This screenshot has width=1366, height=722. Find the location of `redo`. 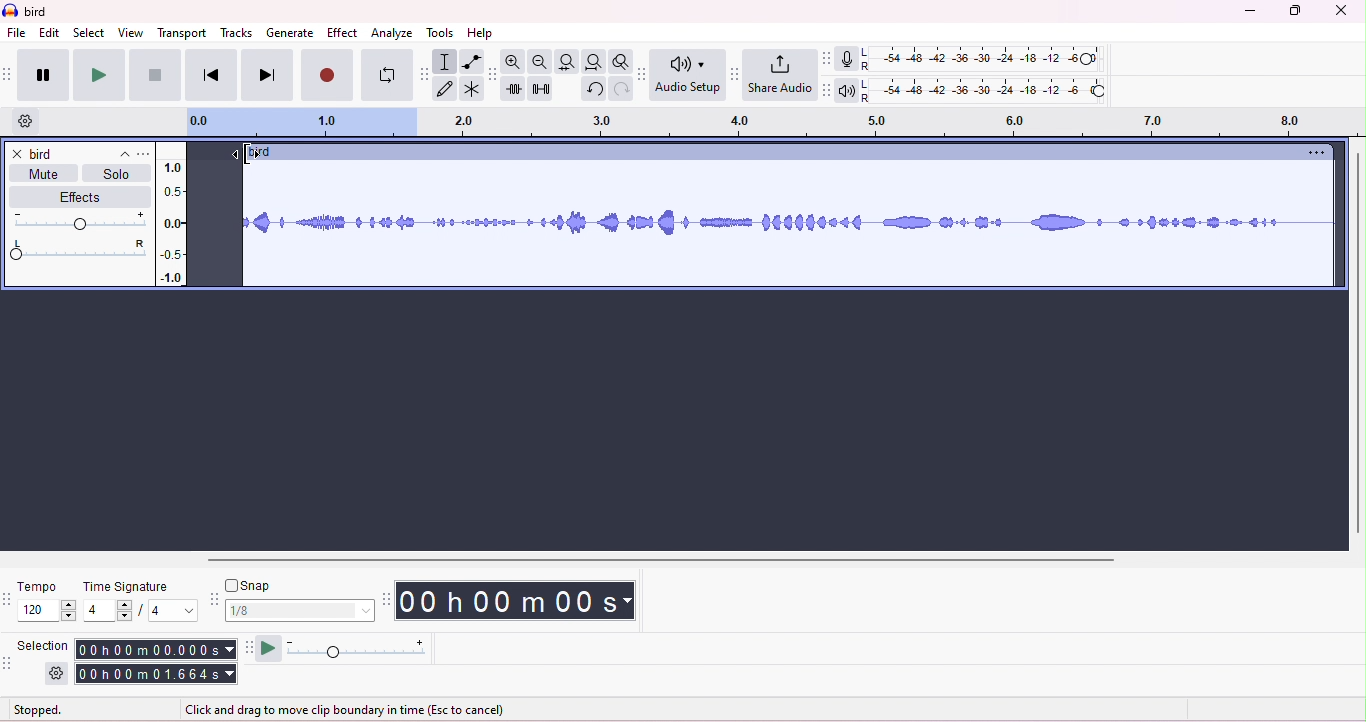

redo is located at coordinates (619, 90).